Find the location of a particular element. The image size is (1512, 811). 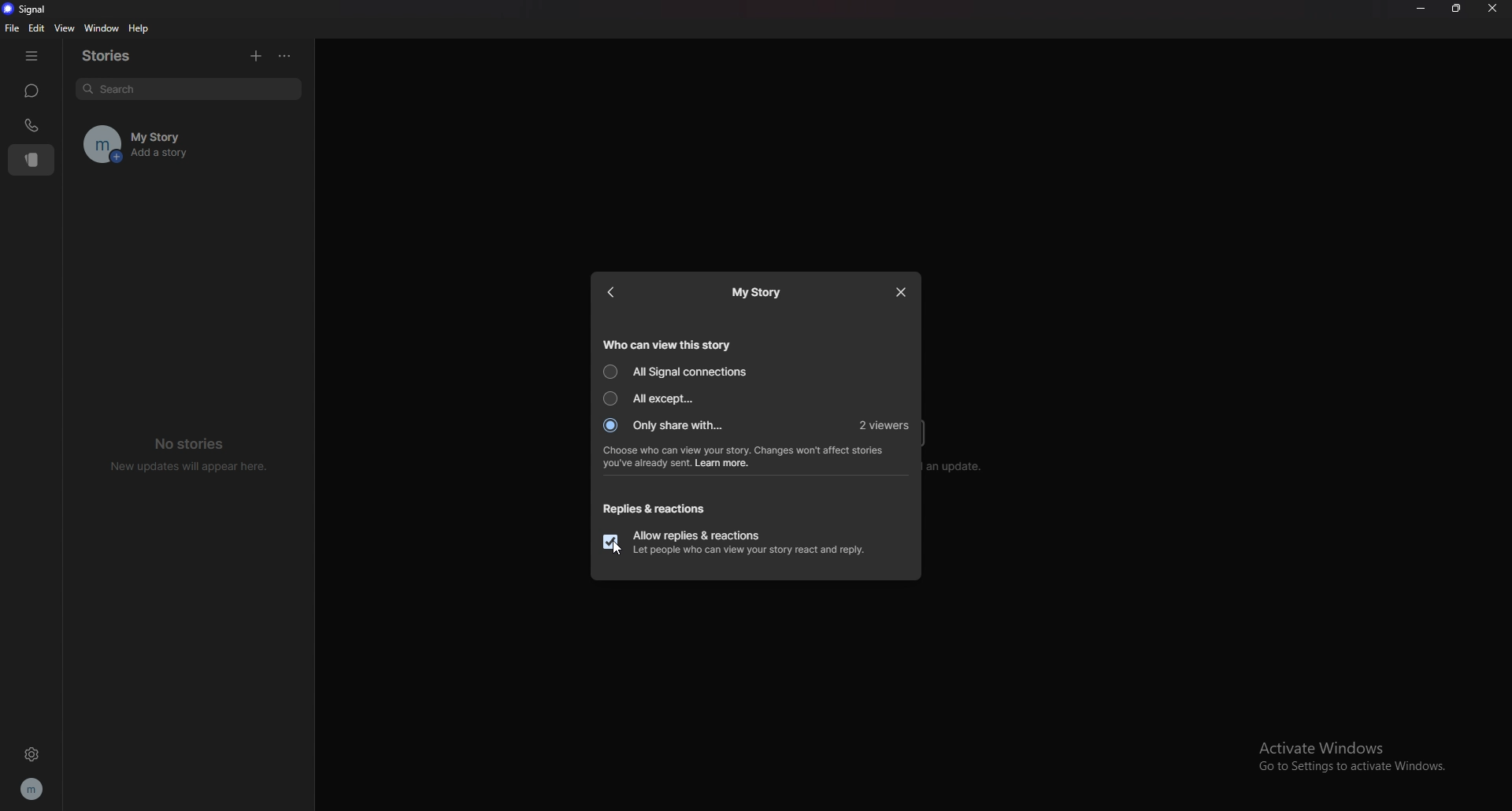

signal is located at coordinates (25, 9).